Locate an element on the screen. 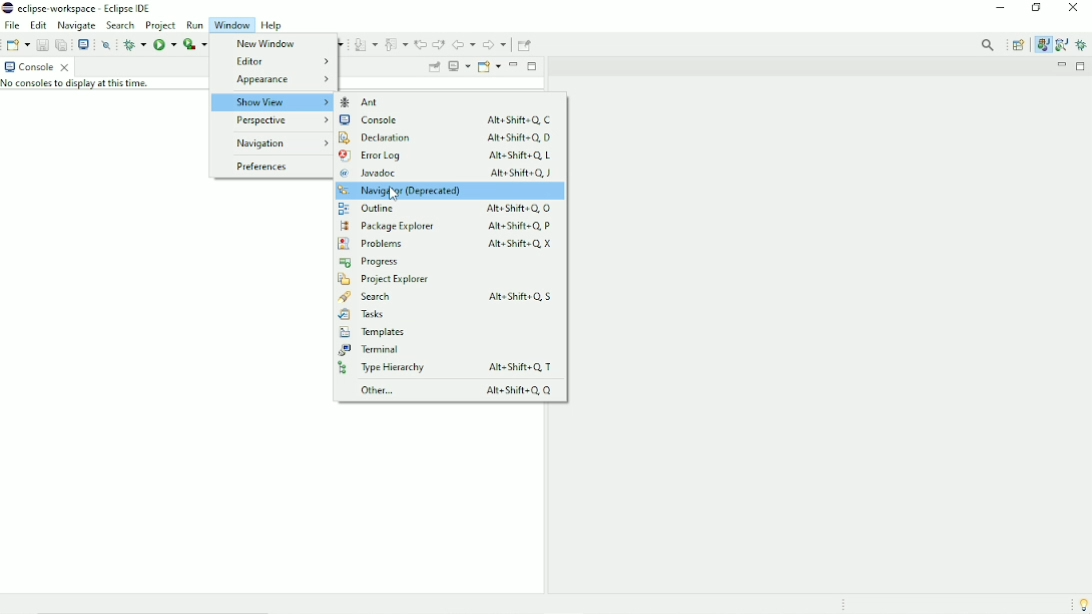 This screenshot has height=614, width=1092. Javadoc is located at coordinates (447, 174).